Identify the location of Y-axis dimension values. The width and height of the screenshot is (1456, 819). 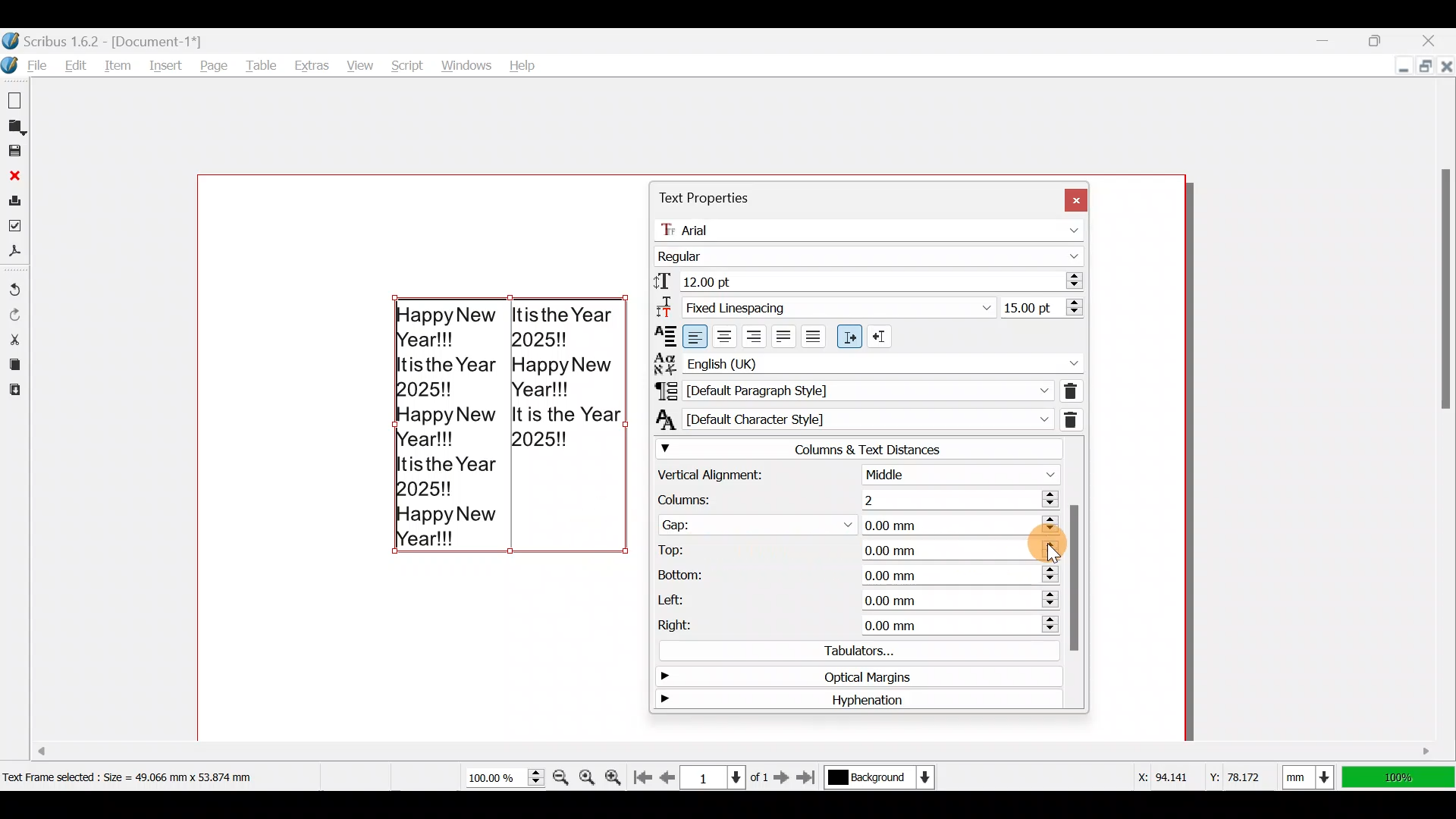
(1243, 771).